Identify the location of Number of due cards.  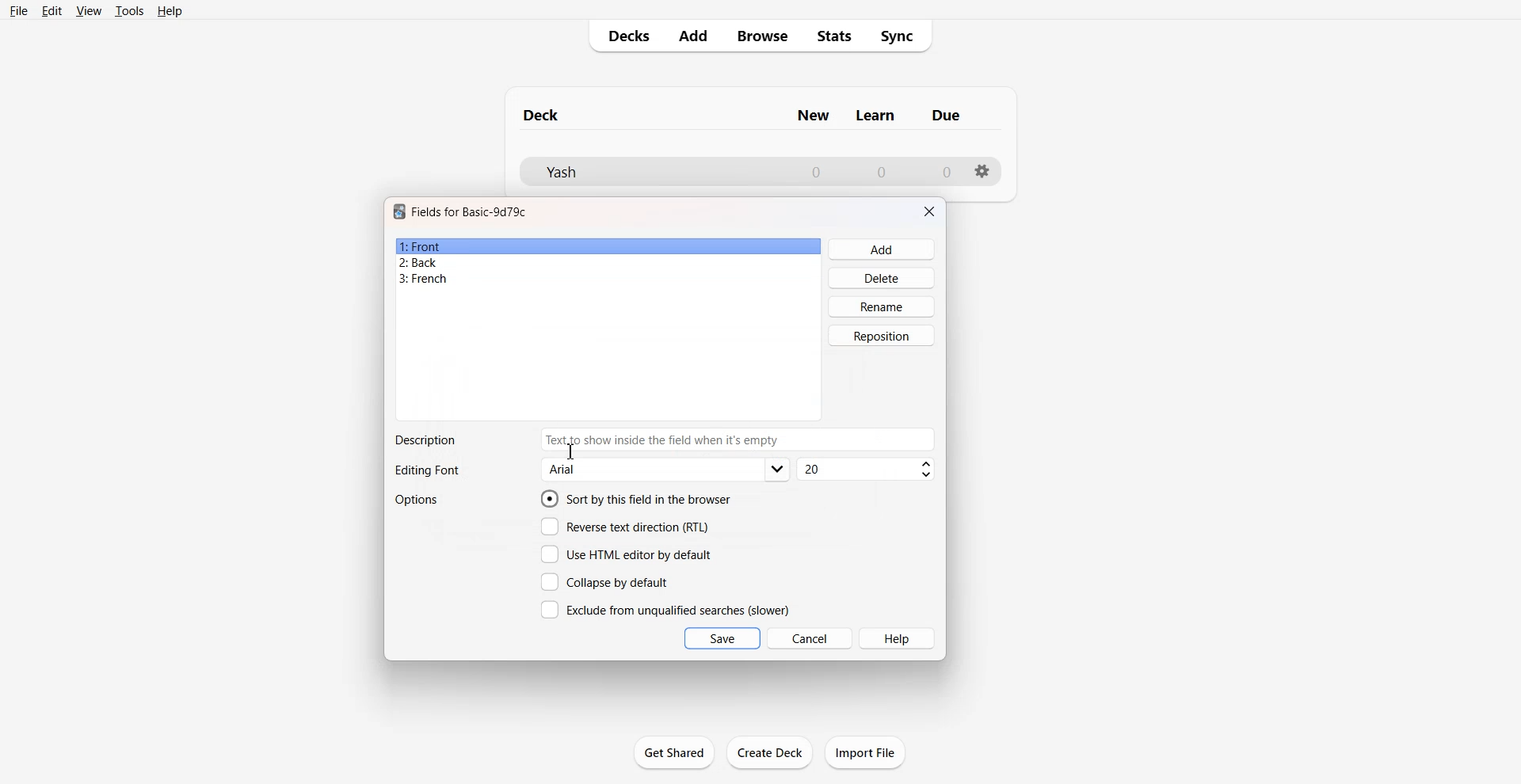
(947, 172).